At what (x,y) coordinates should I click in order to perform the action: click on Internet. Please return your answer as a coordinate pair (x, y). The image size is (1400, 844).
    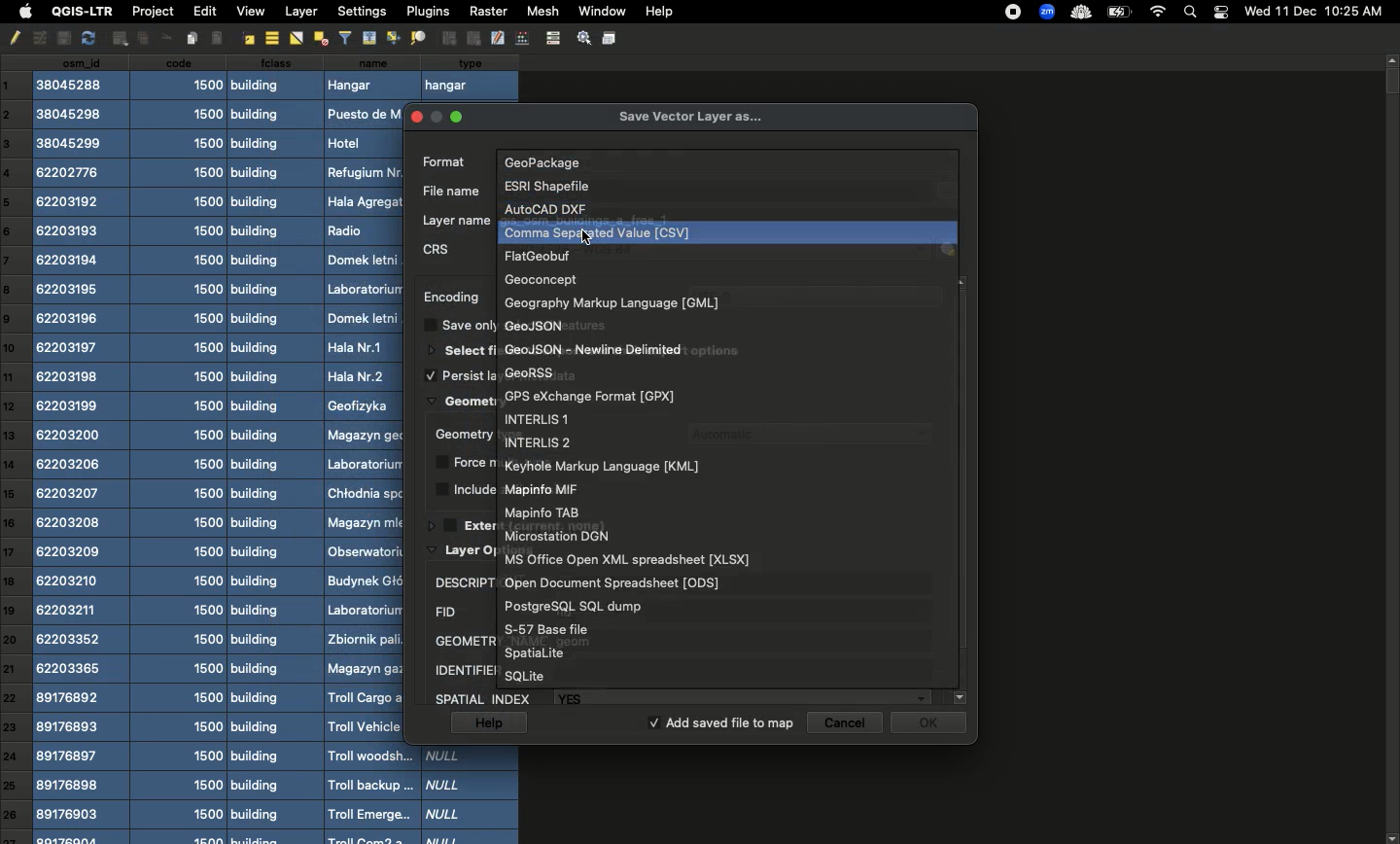
    Looking at the image, I should click on (1157, 12).